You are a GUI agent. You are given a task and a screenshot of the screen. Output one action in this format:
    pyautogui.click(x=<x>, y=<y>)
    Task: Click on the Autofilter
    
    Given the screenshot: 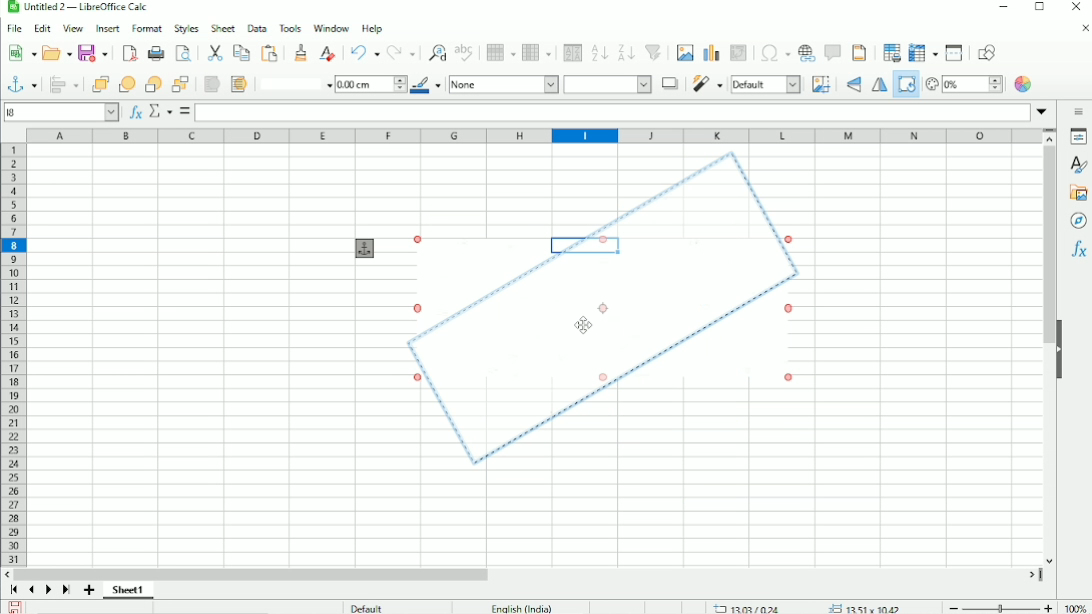 What is the action you would take?
    pyautogui.click(x=655, y=53)
    